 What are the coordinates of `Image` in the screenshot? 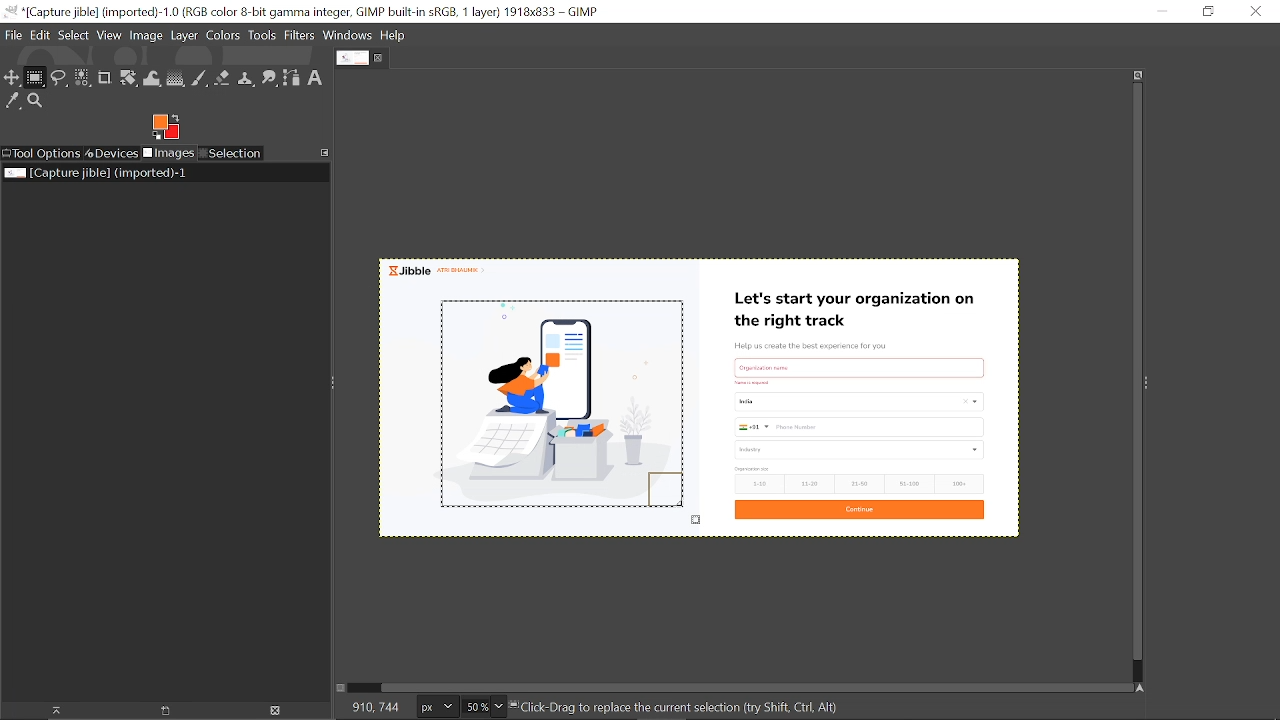 It's located at (146, 37).